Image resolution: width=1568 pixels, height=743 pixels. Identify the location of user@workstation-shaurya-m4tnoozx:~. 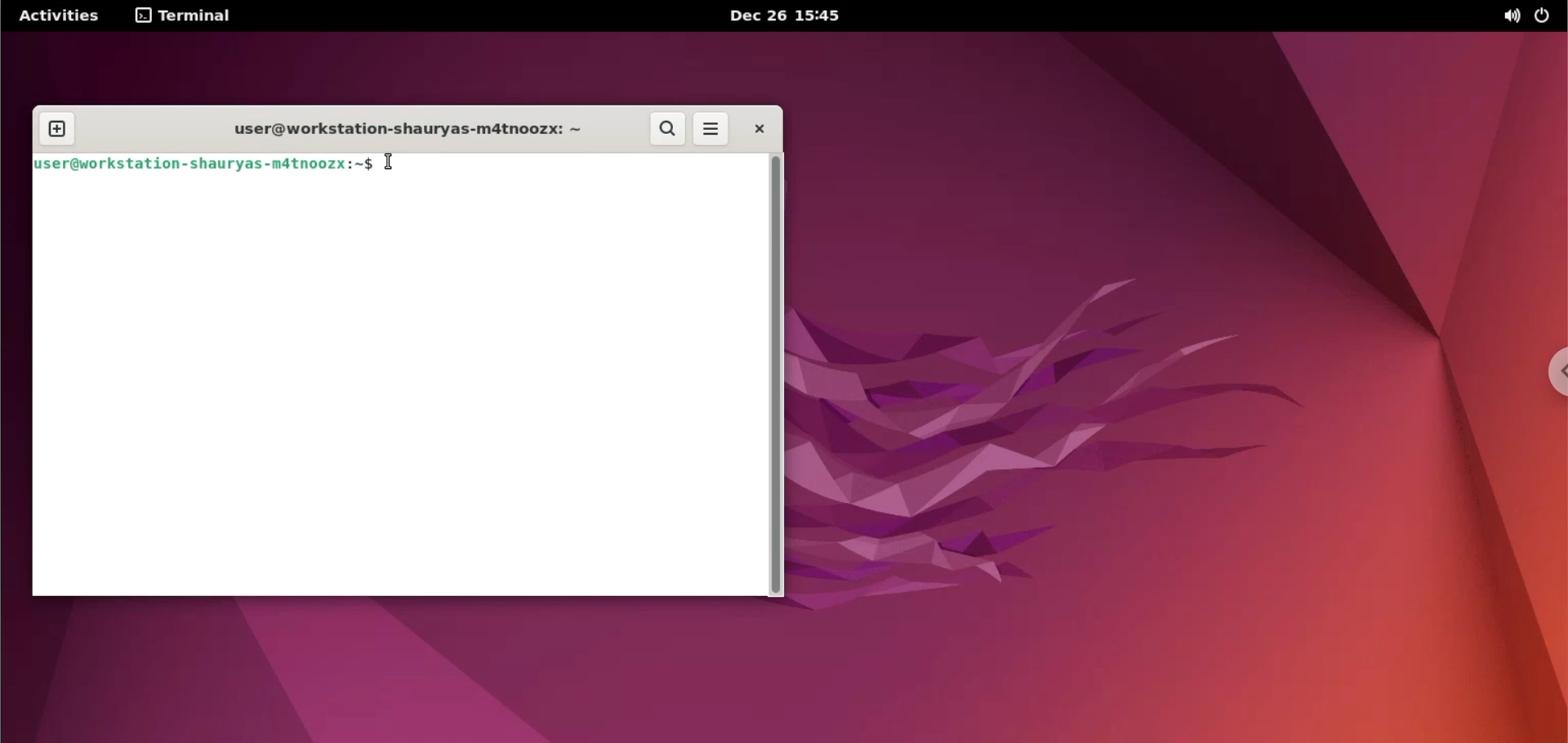
(403, 131).